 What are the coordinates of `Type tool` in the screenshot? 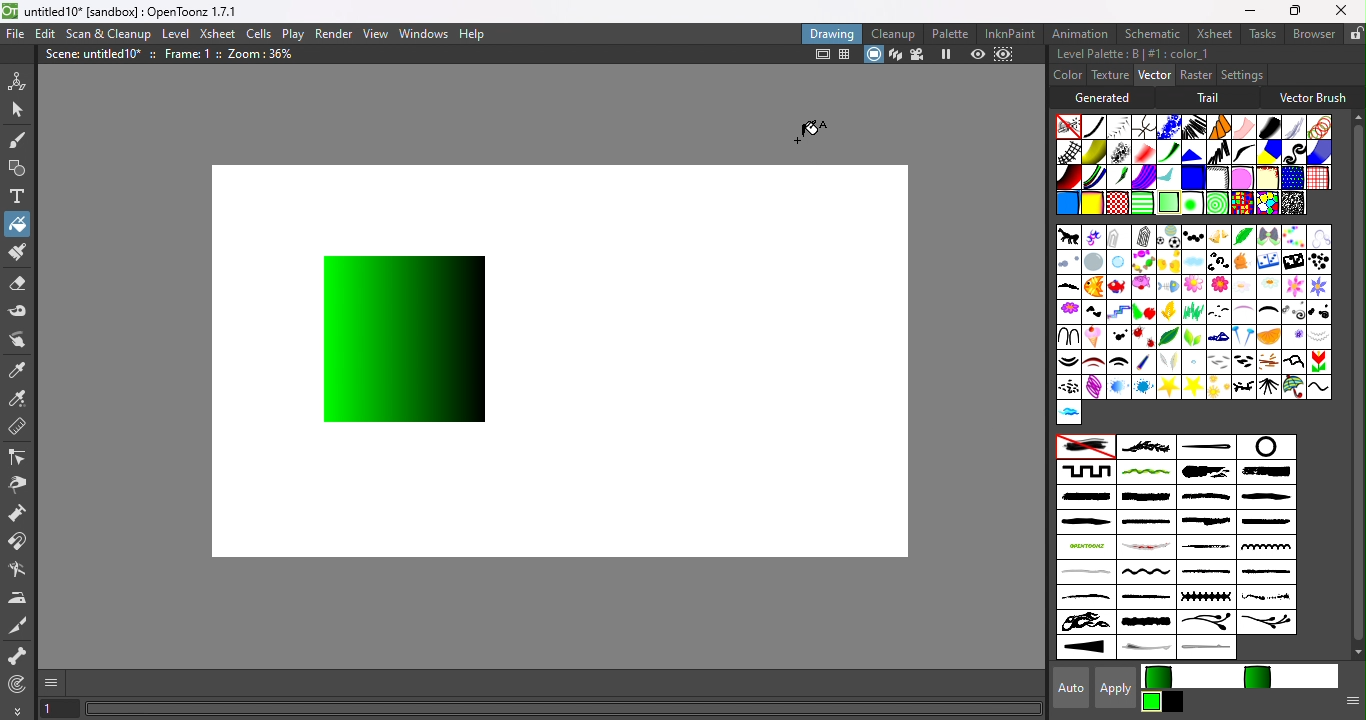 It's located at (18, 198).